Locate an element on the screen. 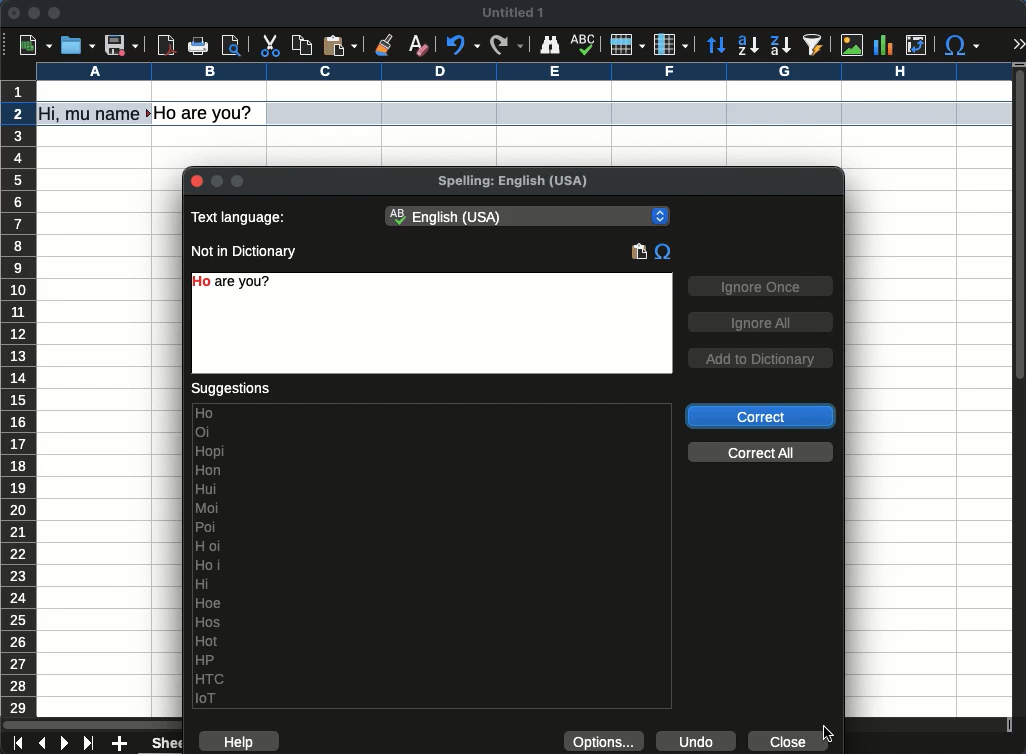 The height and width of the screenshot is (754, 1026). descending is located at coordinates (780, 45).